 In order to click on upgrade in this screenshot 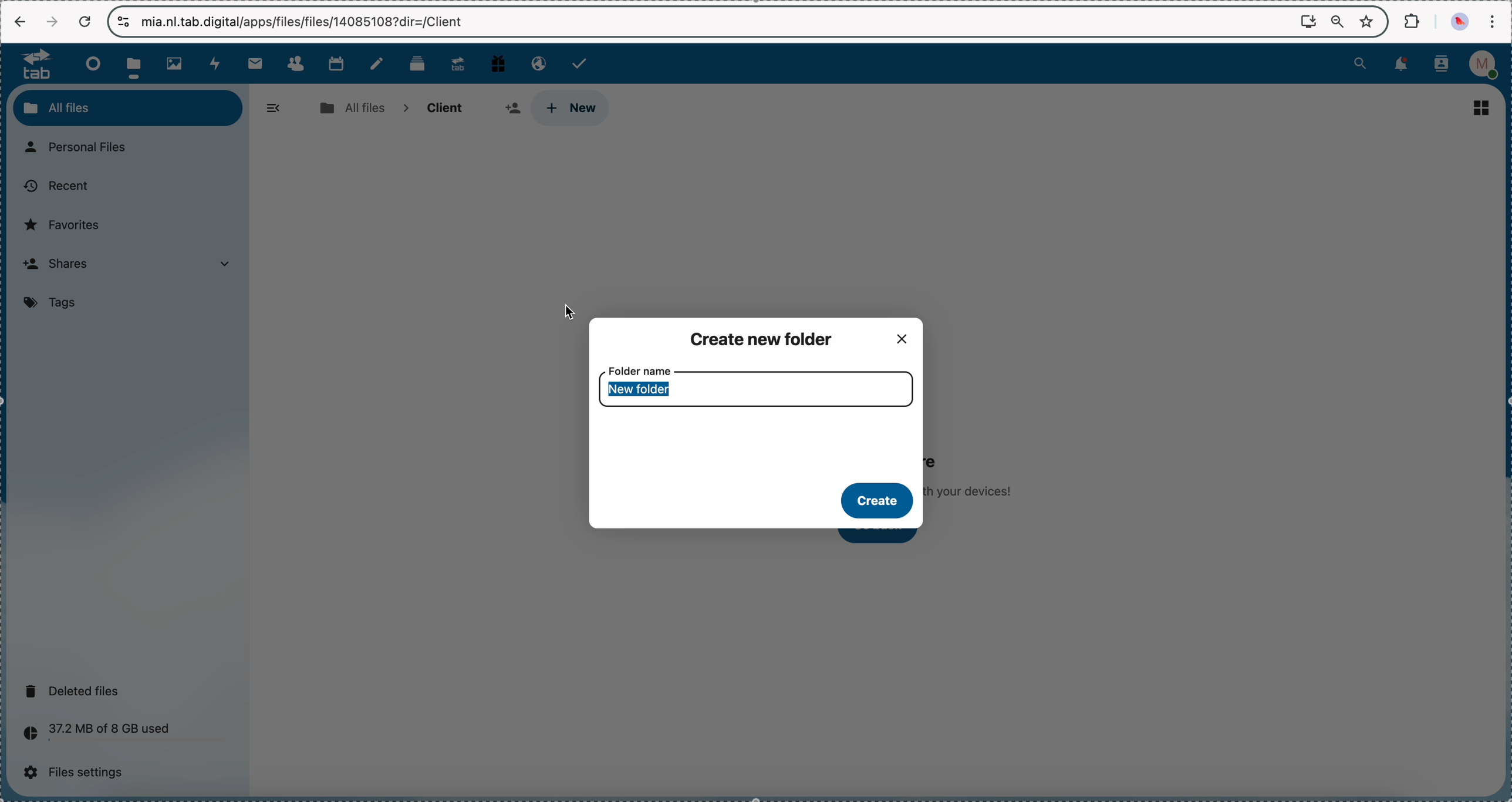, I will do `click(458, 63)`.